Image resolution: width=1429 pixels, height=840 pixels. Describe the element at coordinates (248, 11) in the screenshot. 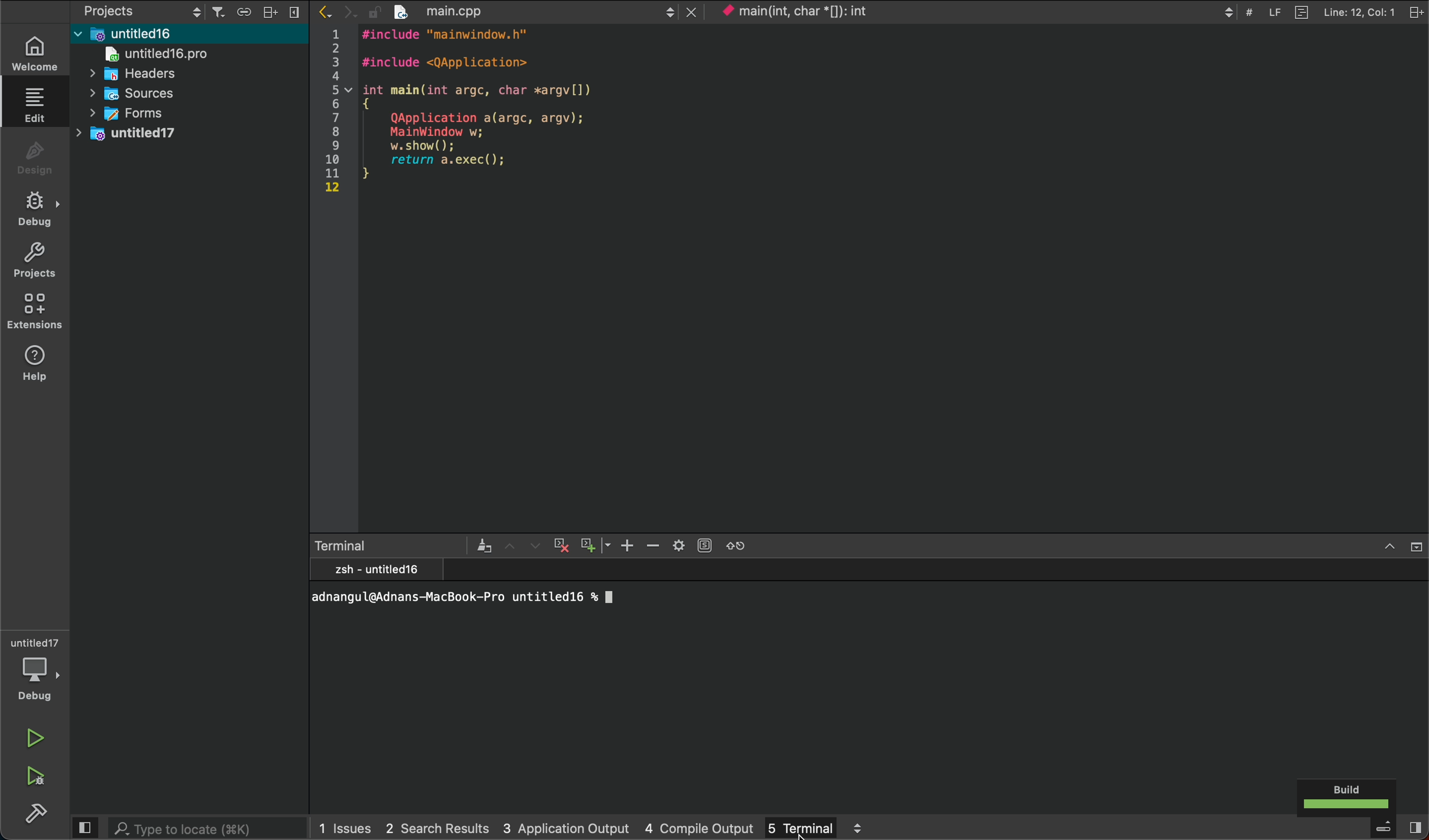

I see `link` at that location.